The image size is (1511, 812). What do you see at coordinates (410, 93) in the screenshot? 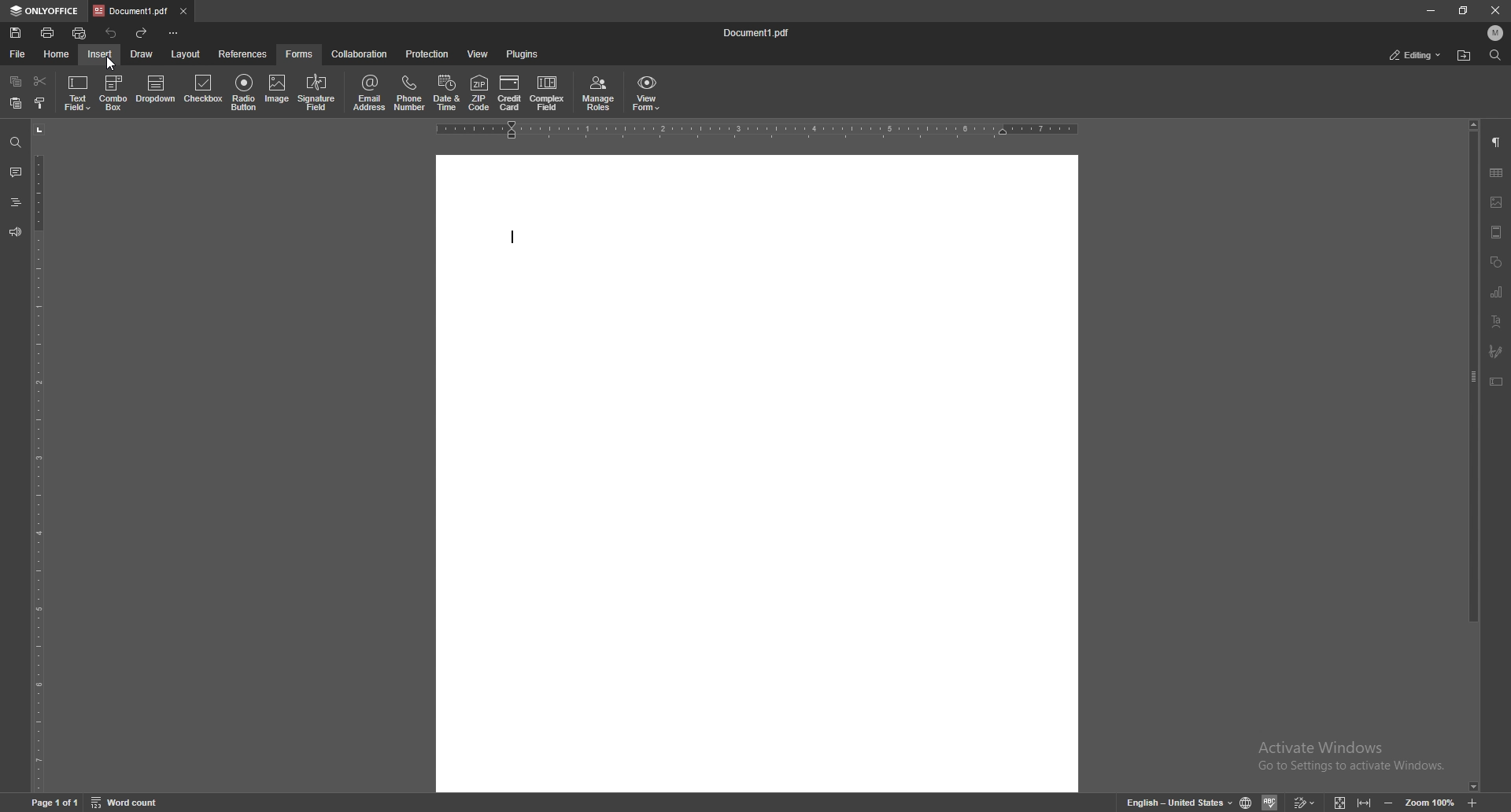
I see `phone number` at bounding box center [410, 93].